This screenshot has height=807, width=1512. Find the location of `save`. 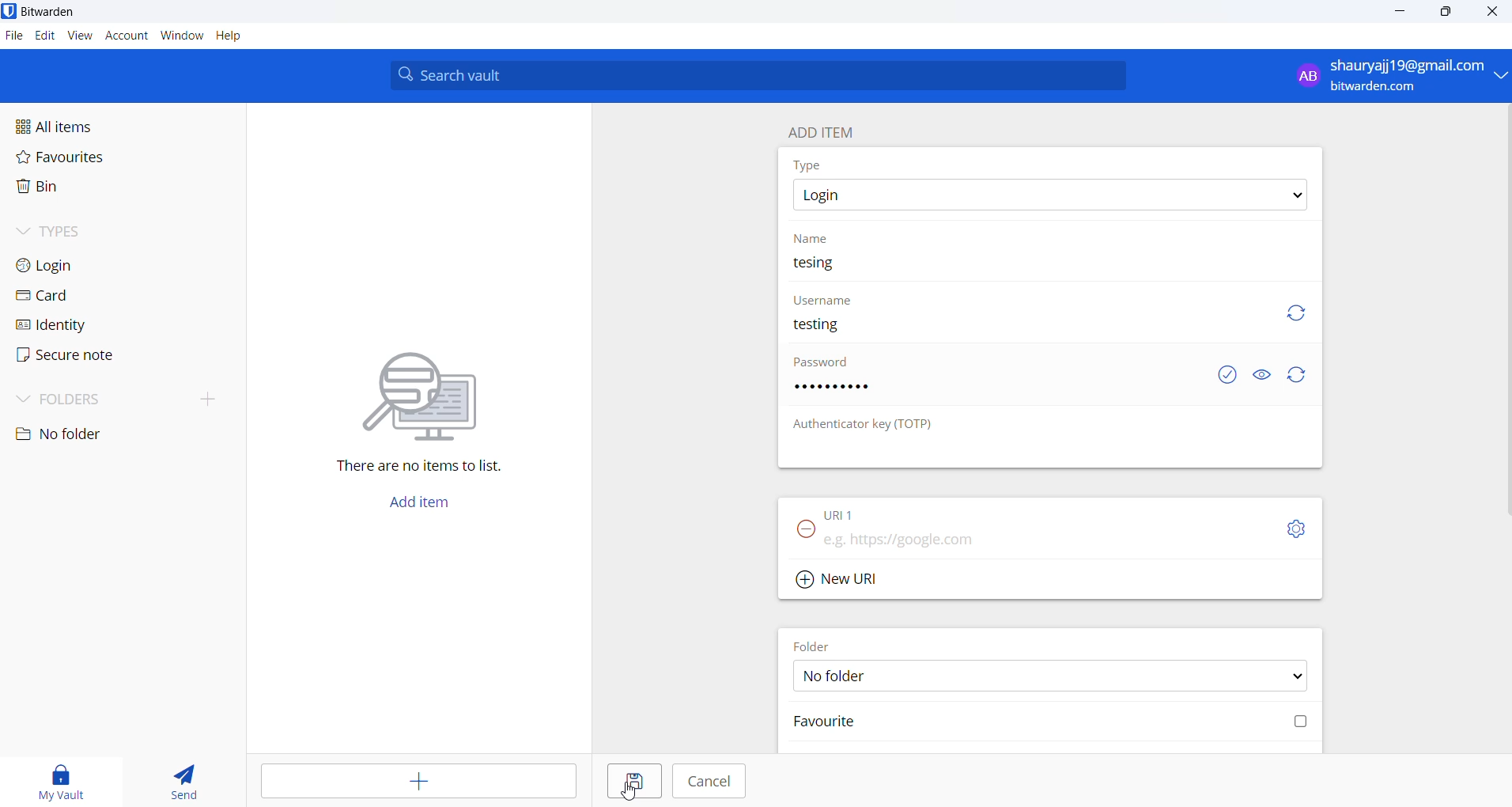

save is located at coordinates (633, 785).